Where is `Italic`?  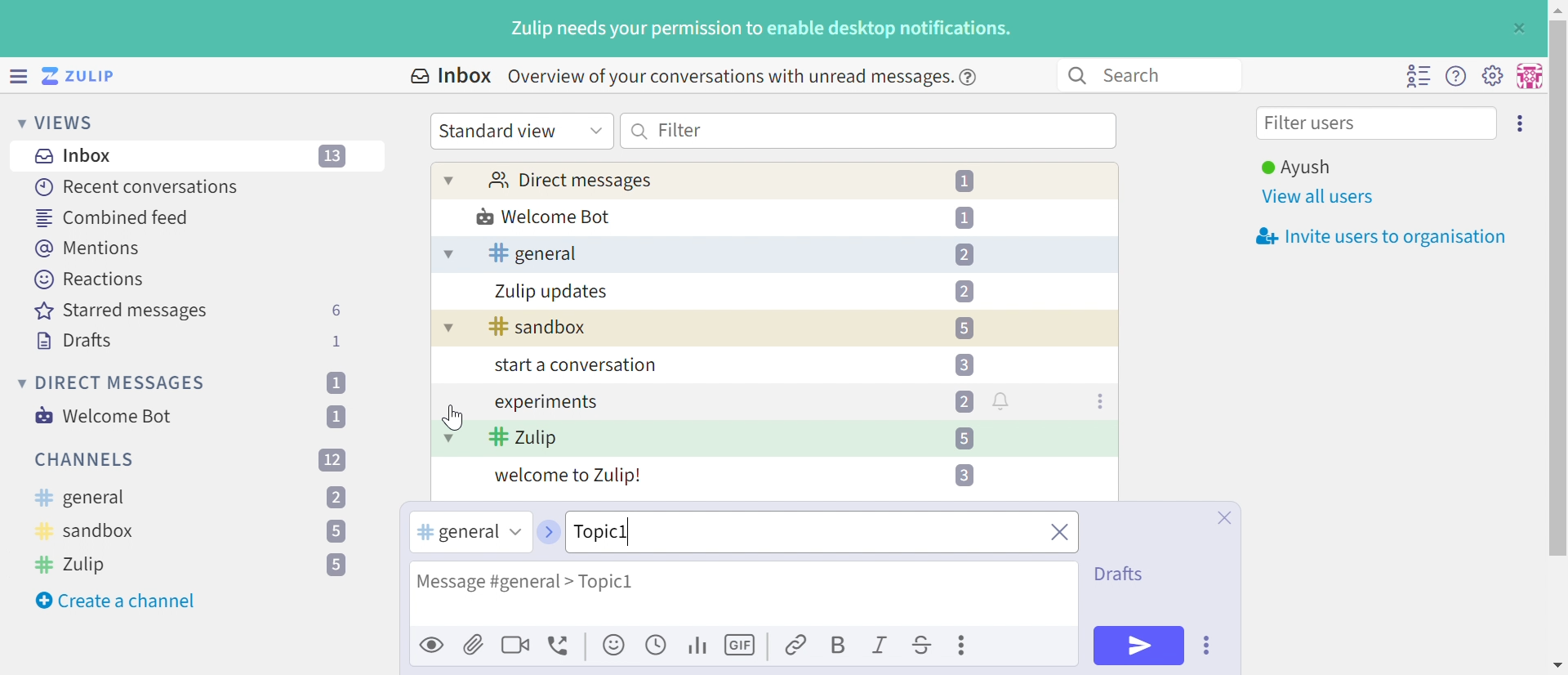
Italic is located at coordinates (881, 647).